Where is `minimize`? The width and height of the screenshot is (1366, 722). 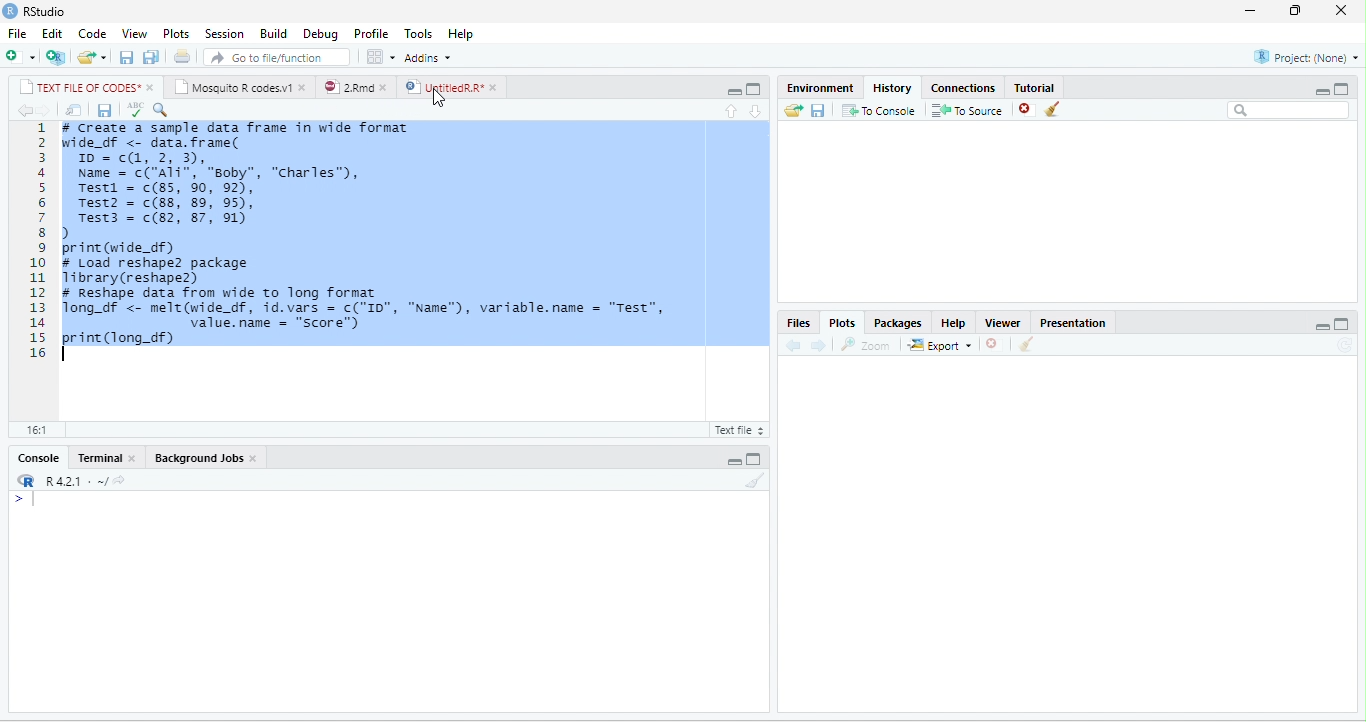 minimize is located at coordinates (734, 92).